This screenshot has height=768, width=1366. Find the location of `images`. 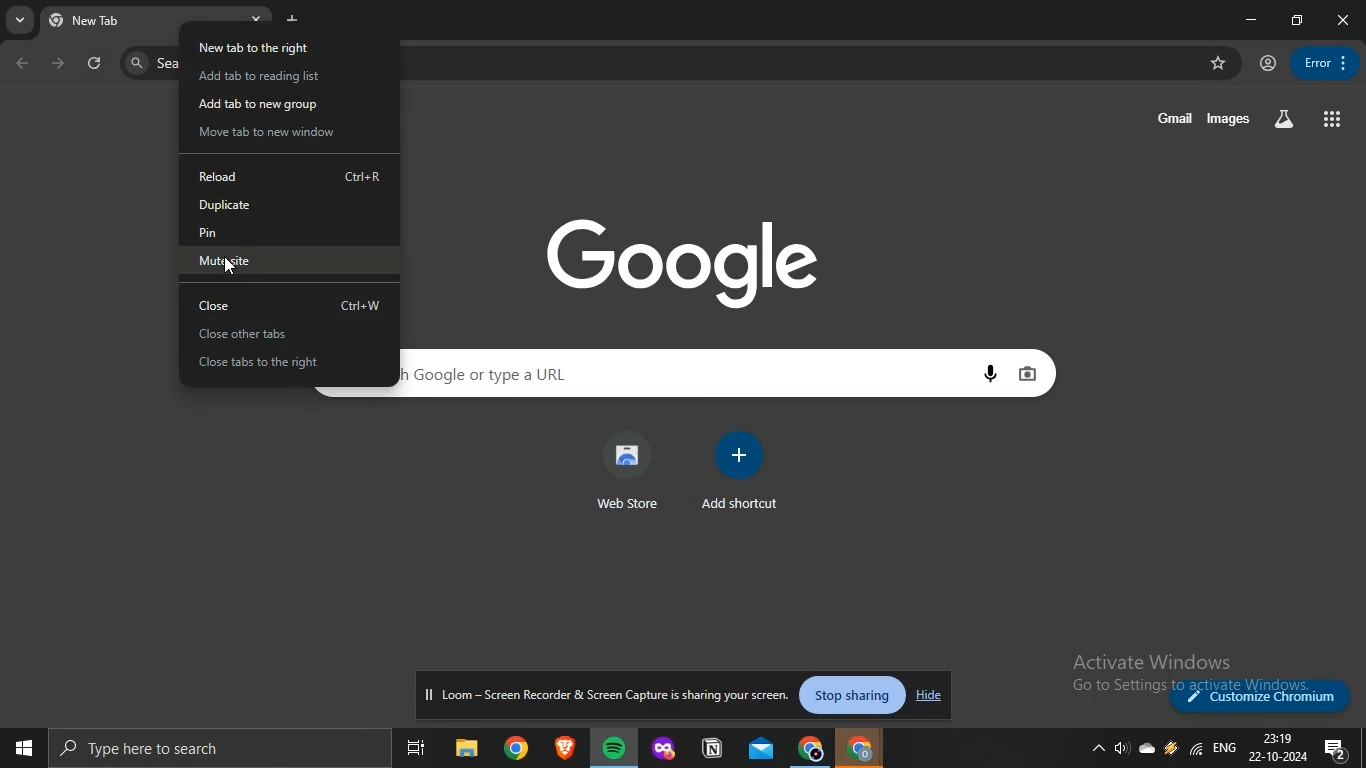

images is located at coordinates (1230, 120).